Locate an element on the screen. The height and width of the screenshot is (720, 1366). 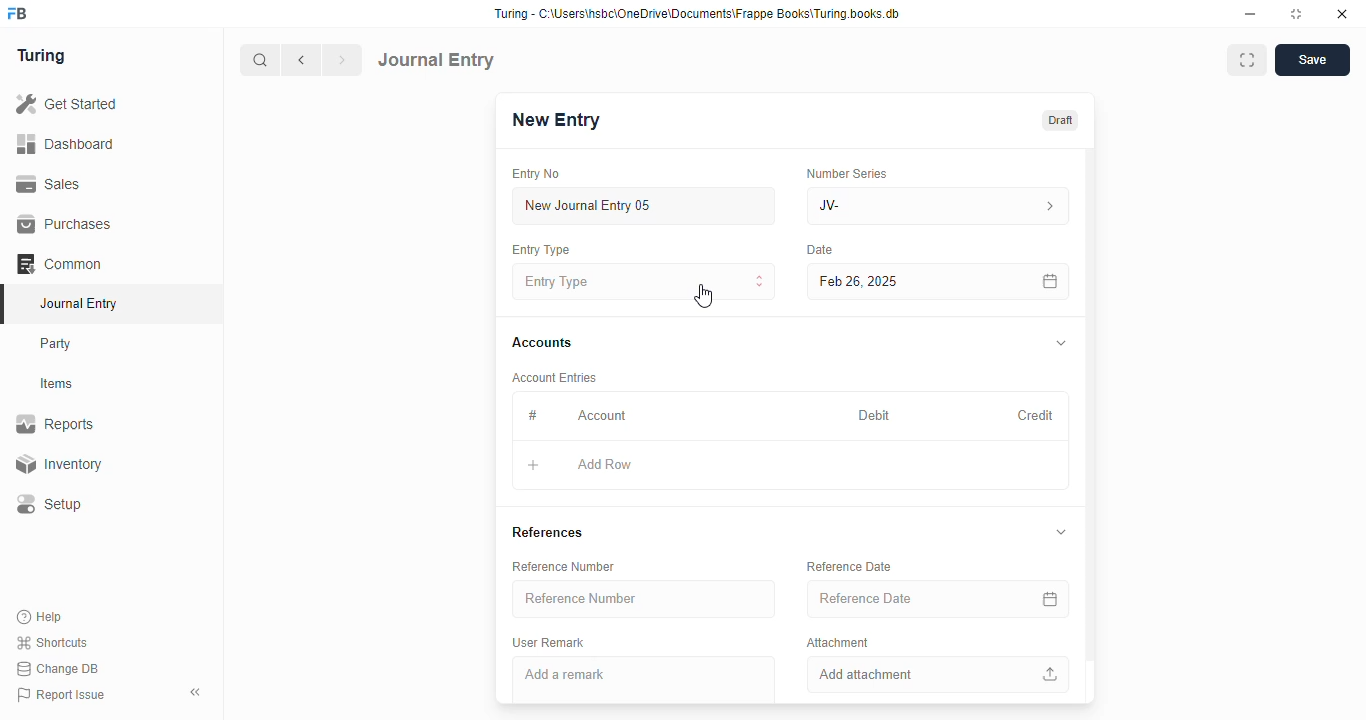
draft is located at coordinates (1059, 120).